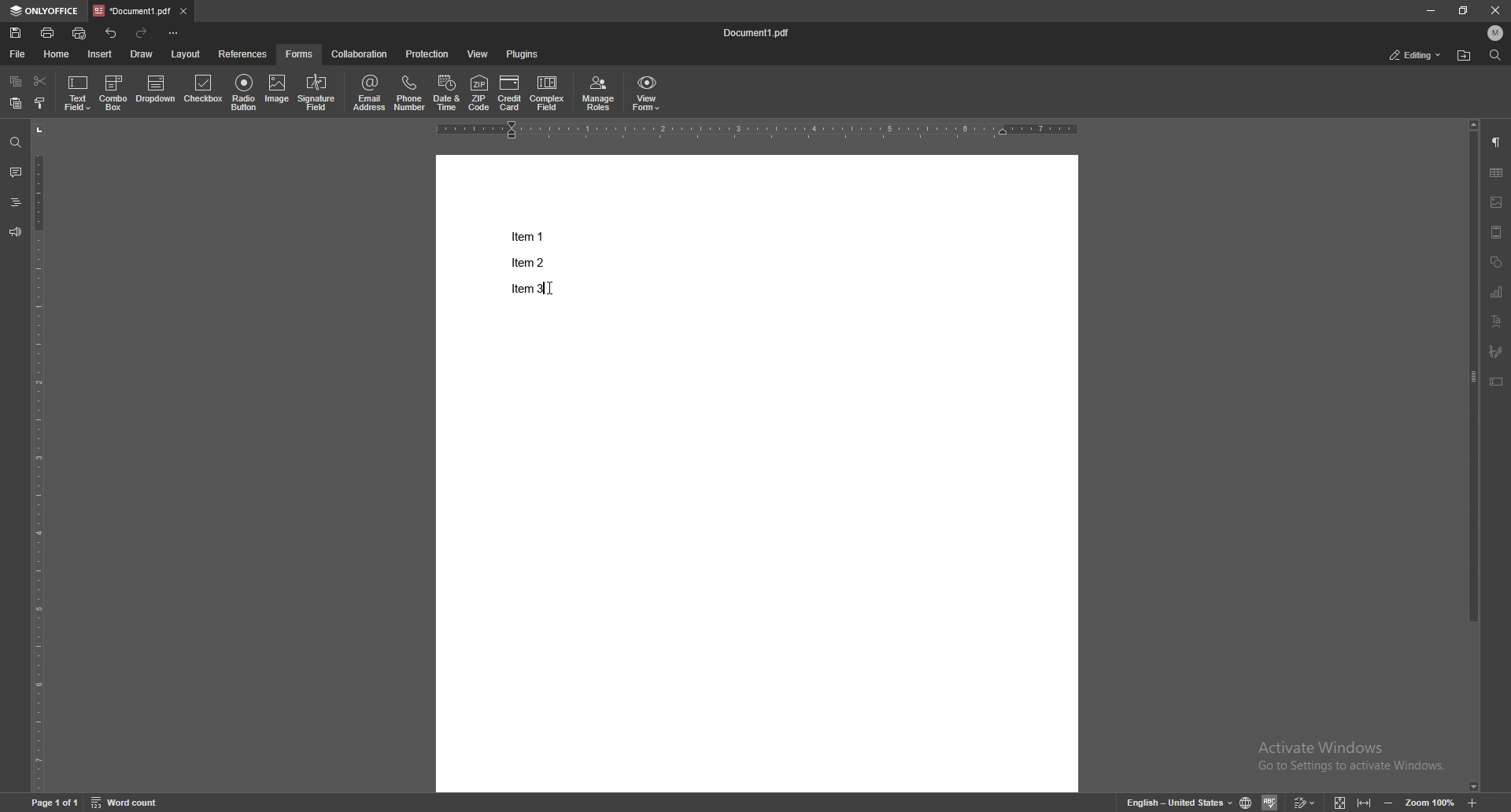 This screenshot has height=812, width=1511. Describe the element at coordinates (527, 261) in the screenshot. I see `list` at that location.